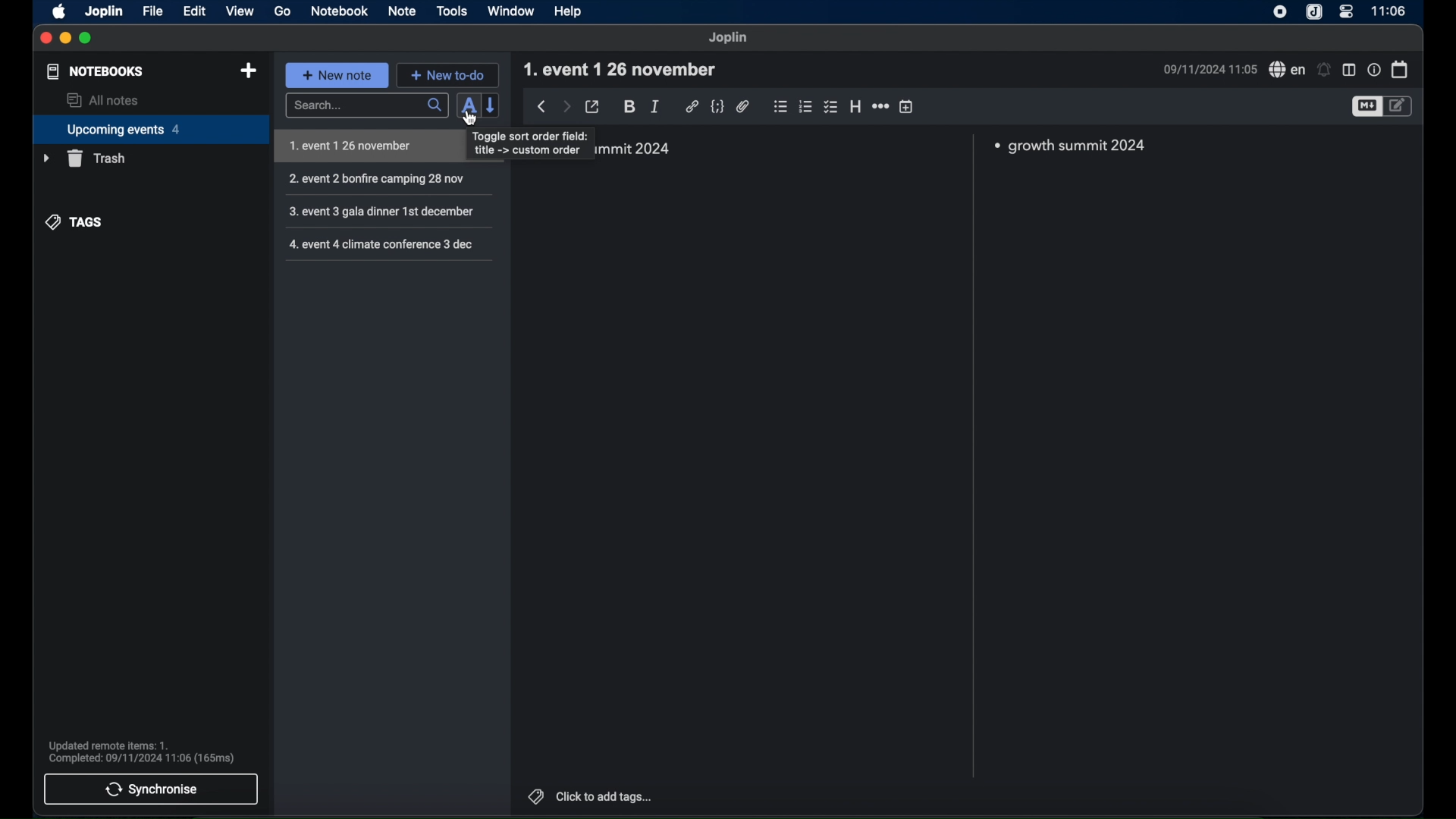 Image resolution: width=1456 pixels, height=819 pixels. Describe the element at coordinates (510, 11) in the screenshot. I see `window` at that location.